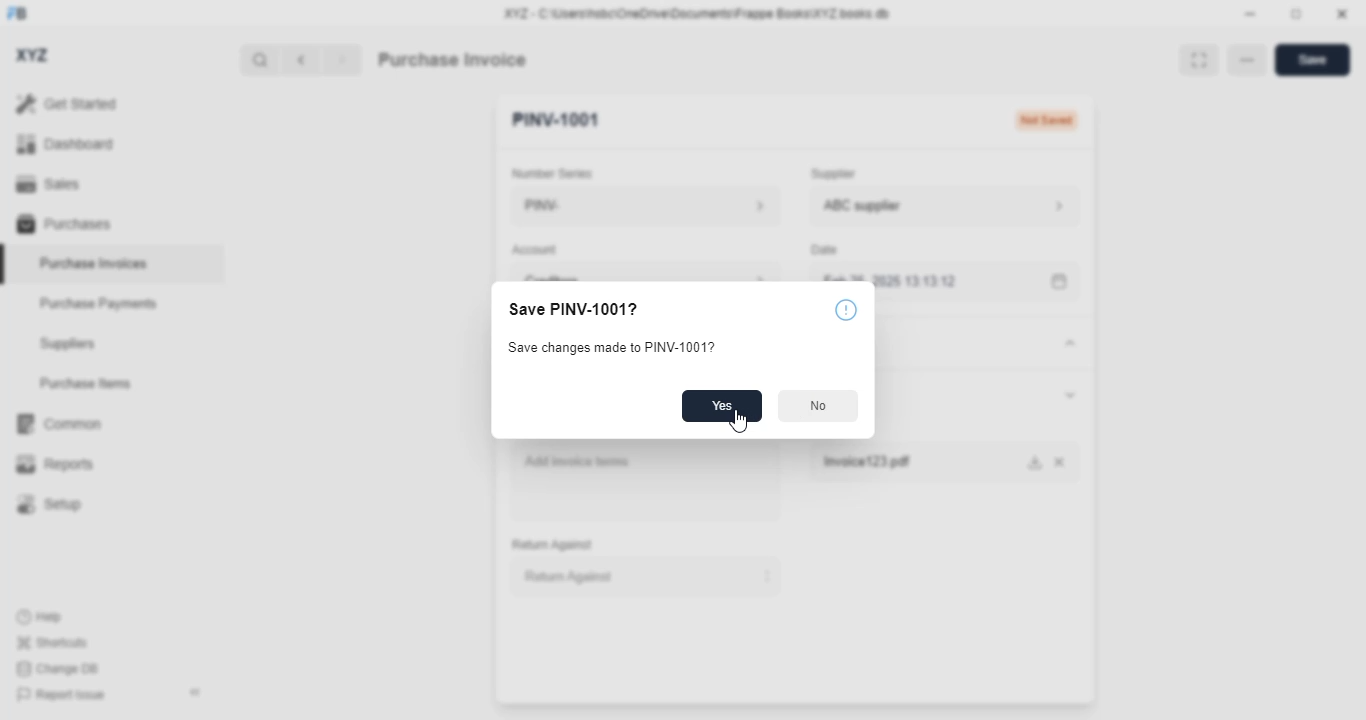 This screenshot has height=720, width=1366. What do you see at coordinates (342, 60) in the screenshot?
I see `next` at bounding box center [342, 60].